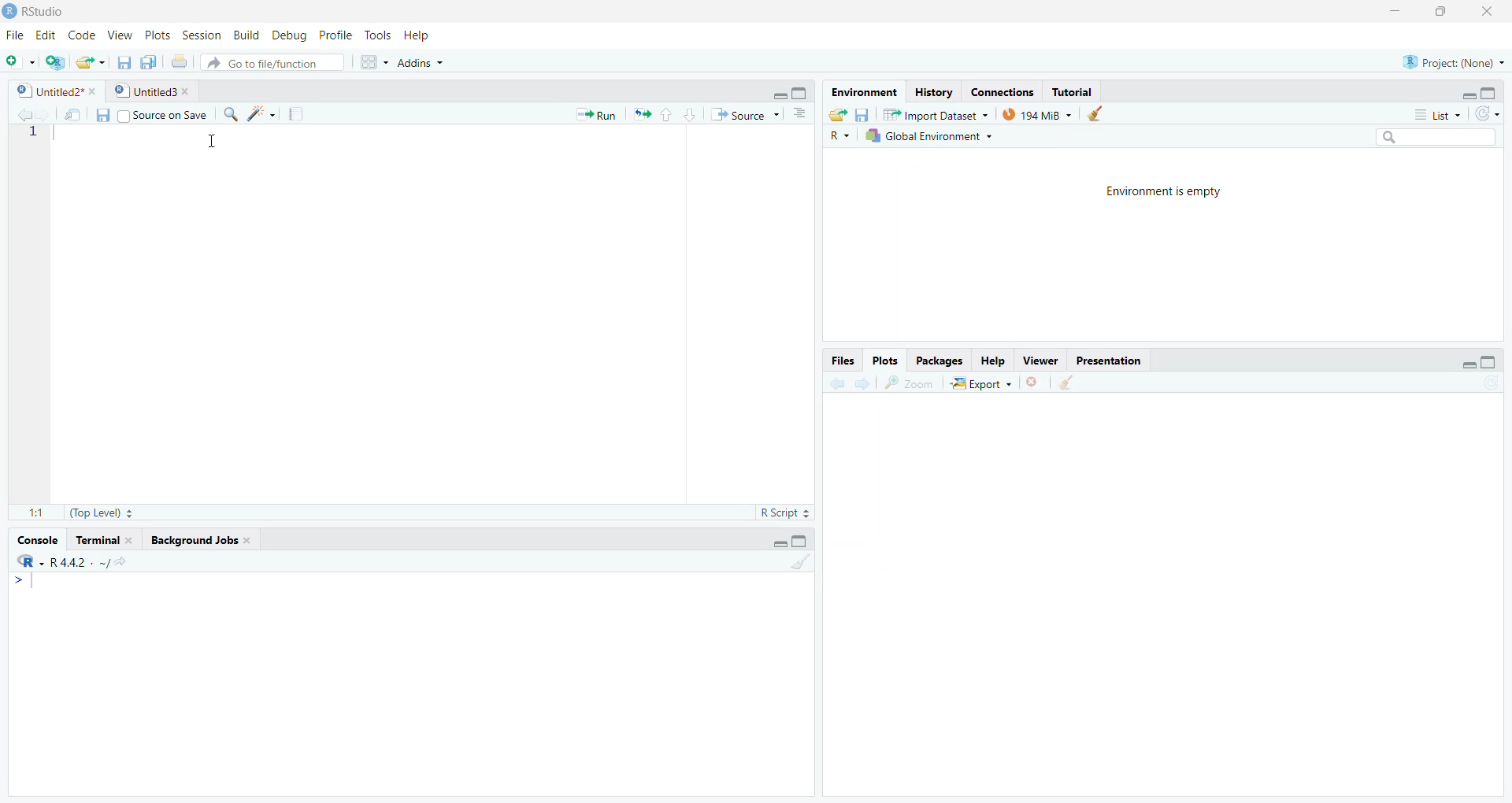  I want to click on Source on Save, so click(151, 115).